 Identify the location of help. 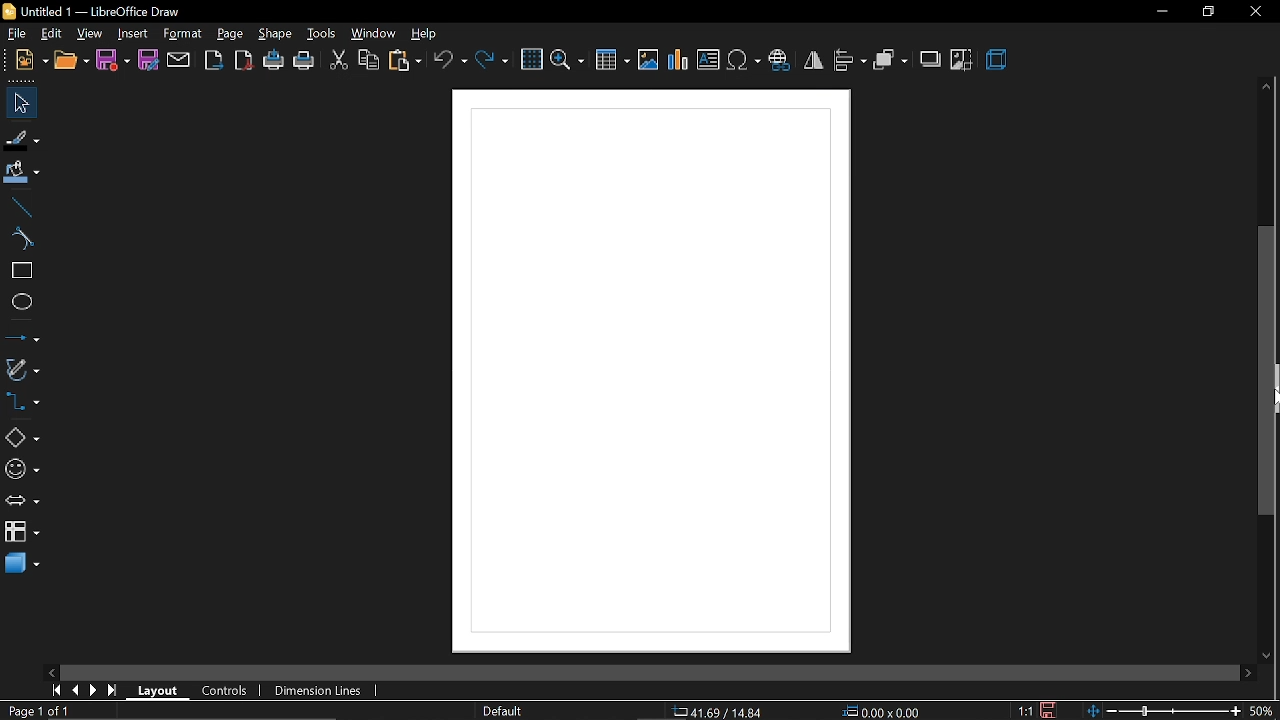
(429, 35).